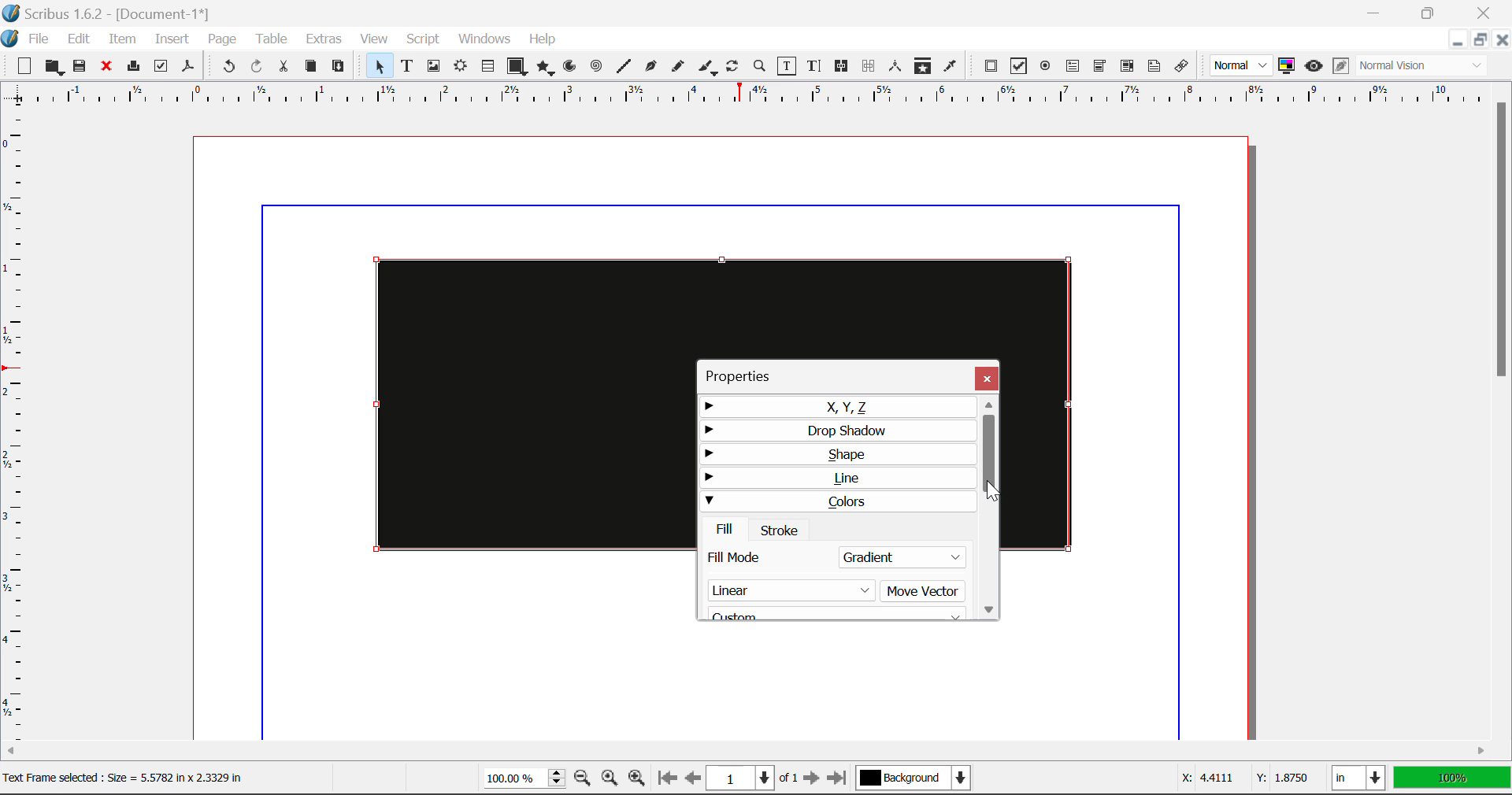  I want to click on Copy Item Properties, so click(922, 68).